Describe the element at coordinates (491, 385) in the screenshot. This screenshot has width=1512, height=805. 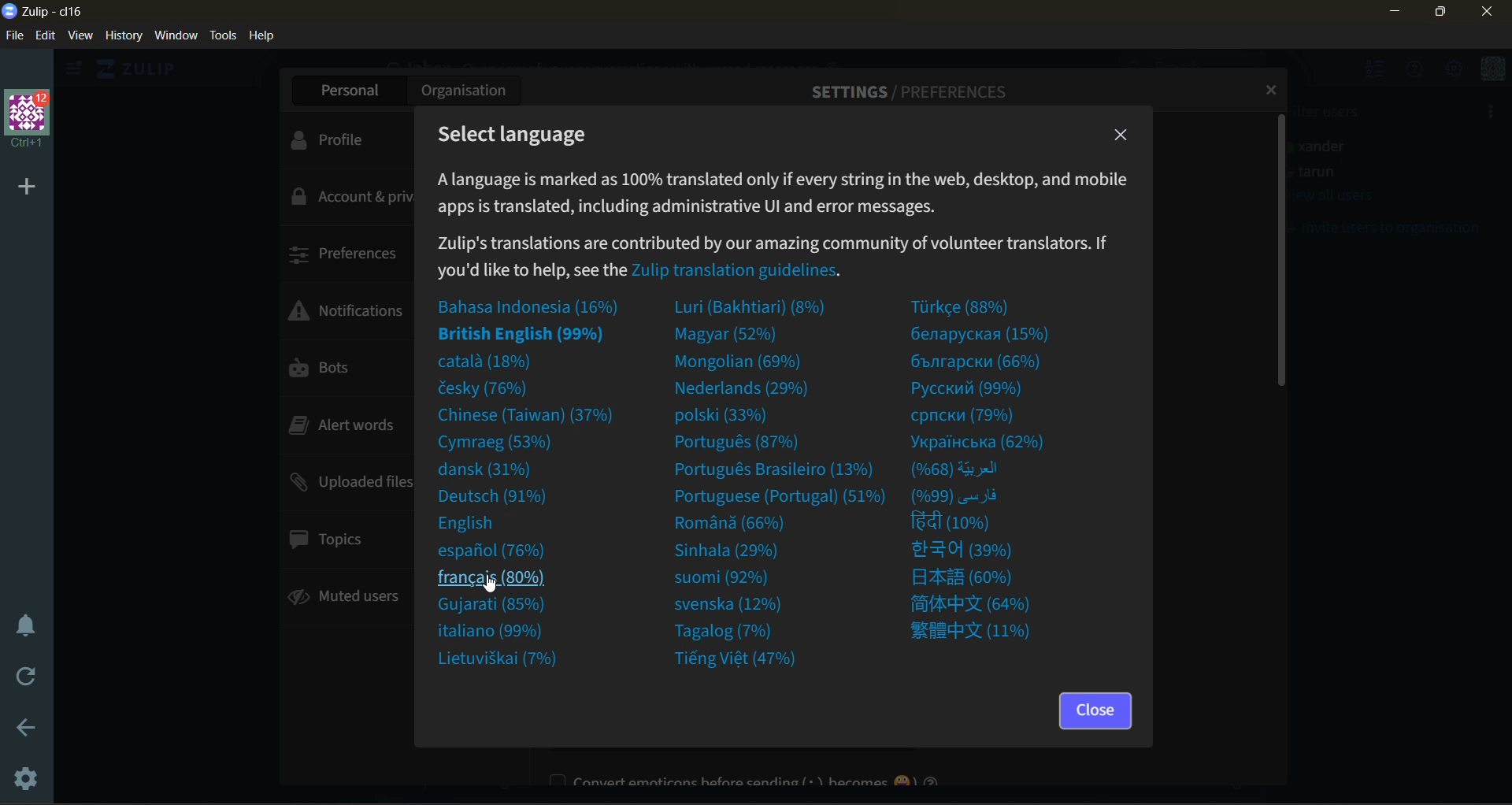
I see `cesky` at that location.